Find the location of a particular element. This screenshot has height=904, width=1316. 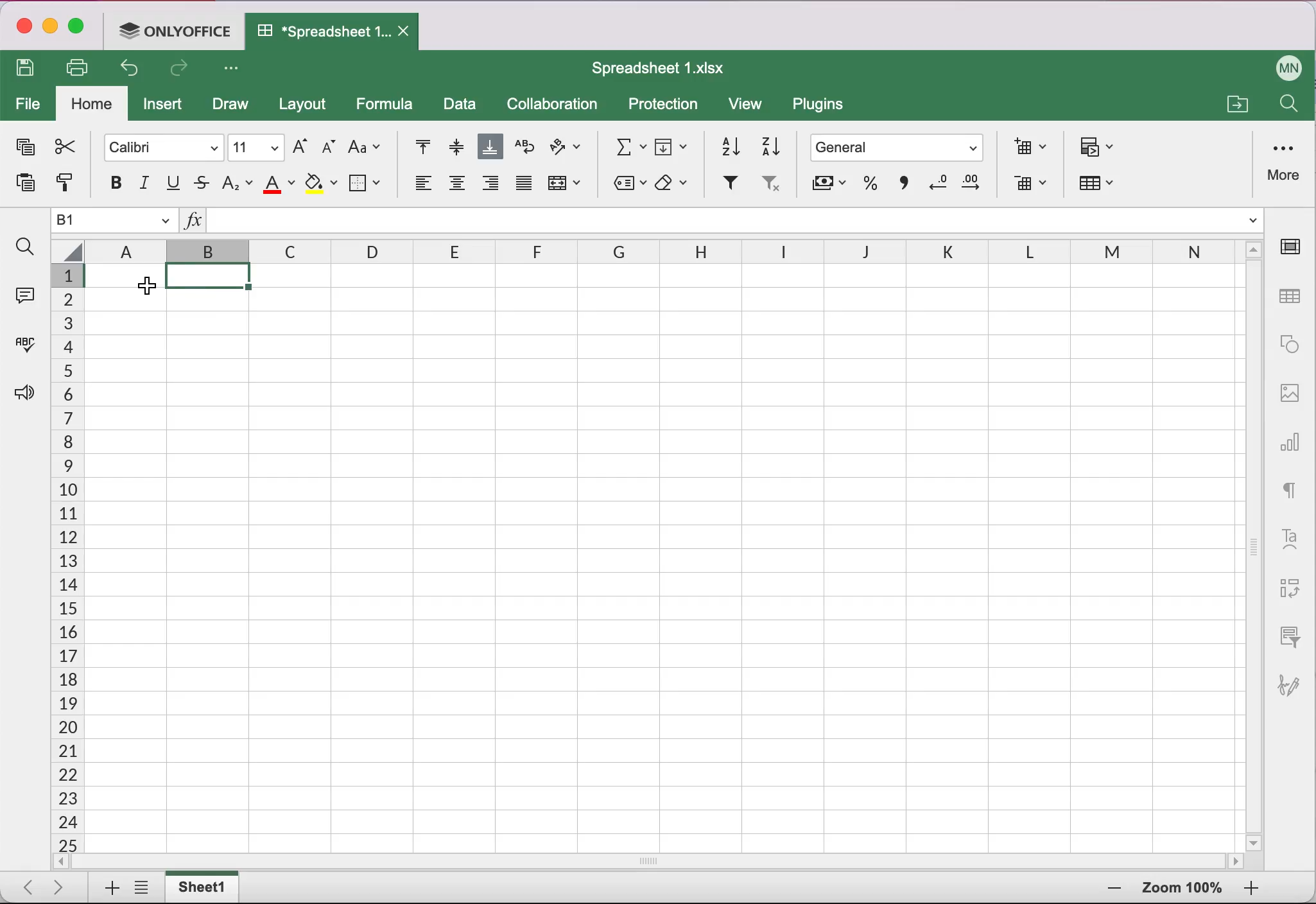

vertical slider is located at coordinates (1254, 540).